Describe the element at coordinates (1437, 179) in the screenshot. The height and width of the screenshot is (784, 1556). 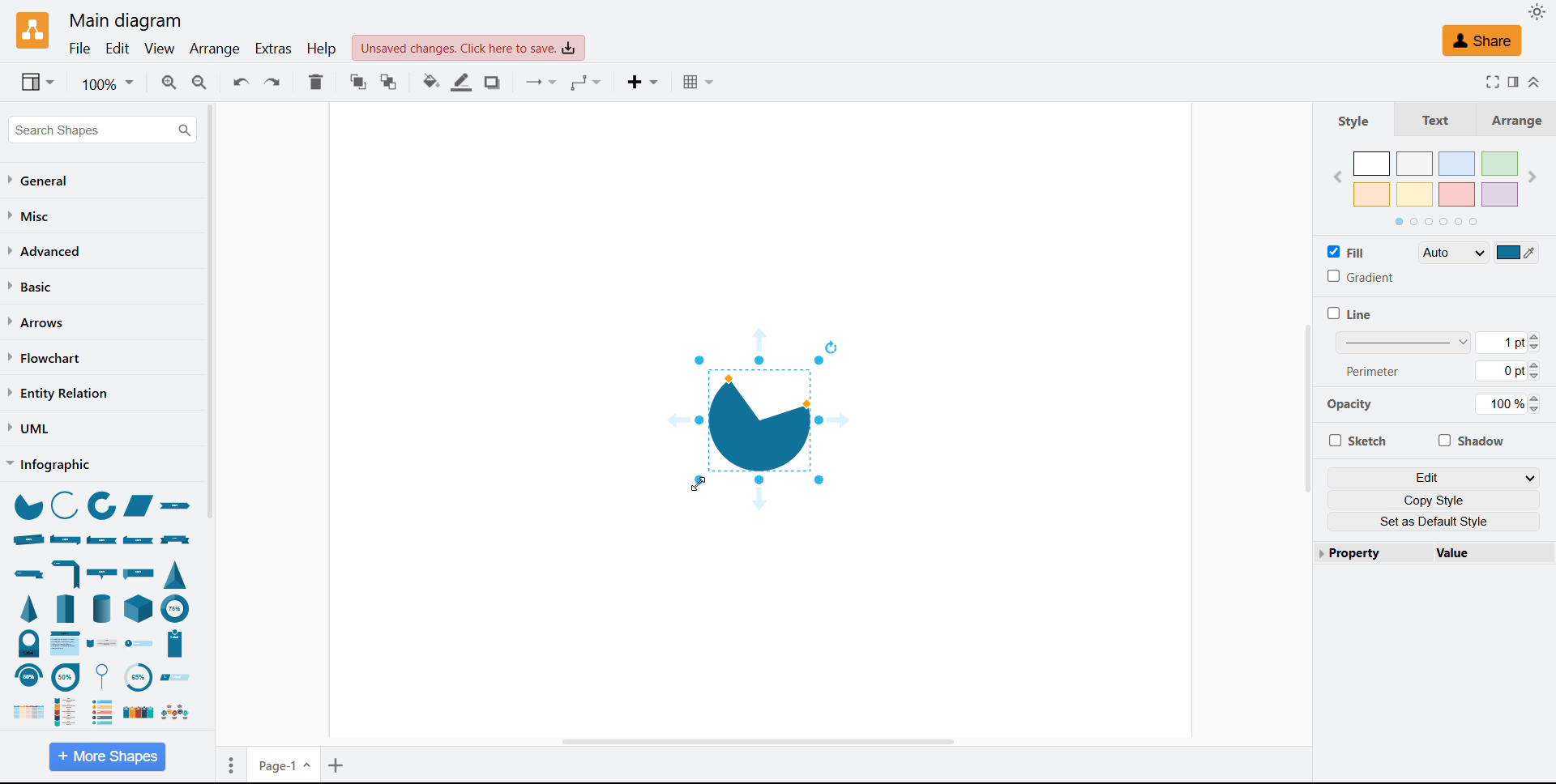
I see `Colour palettes ` at that location.